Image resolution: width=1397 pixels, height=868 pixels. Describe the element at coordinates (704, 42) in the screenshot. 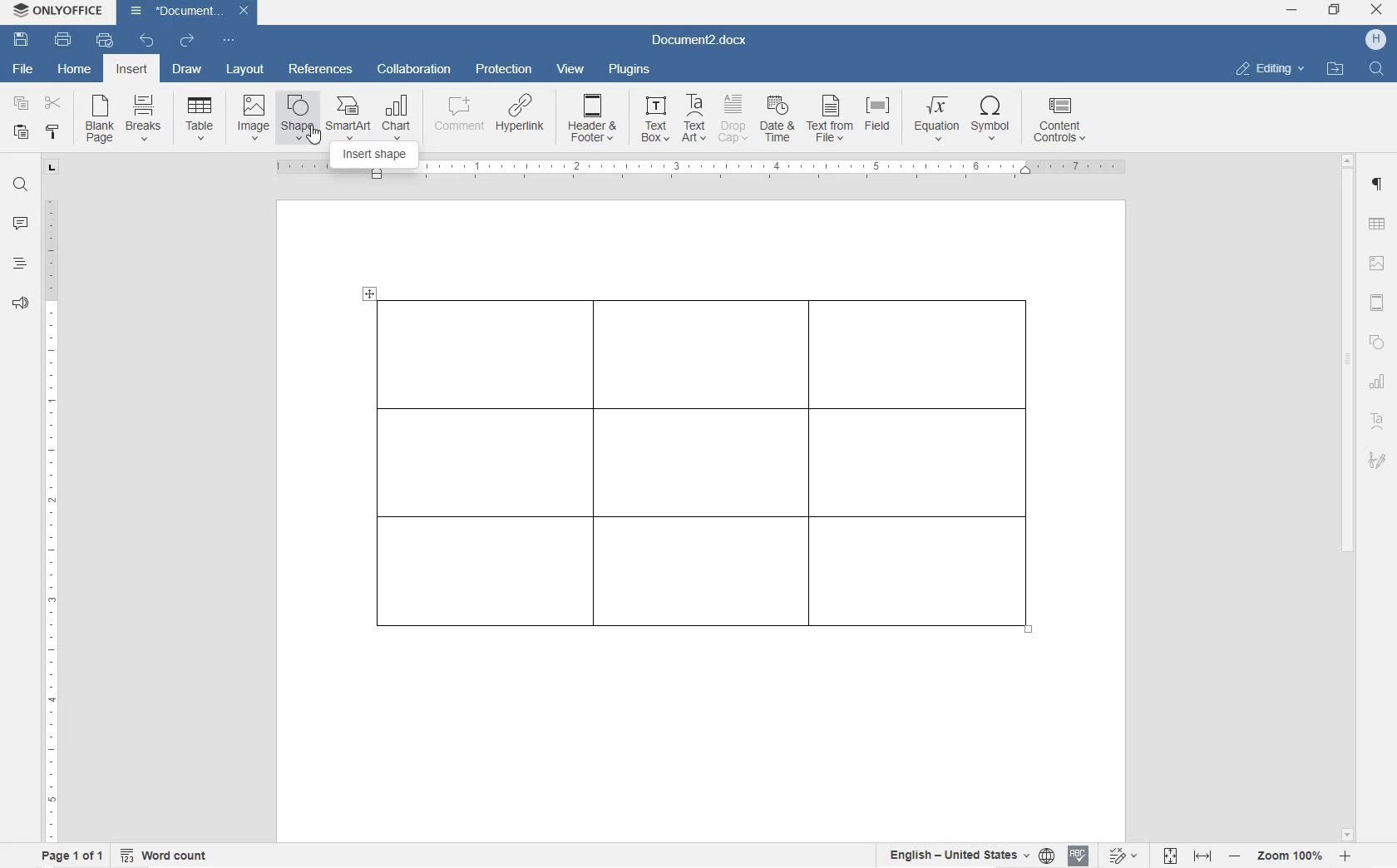

I see `Document3.docx` at that location.